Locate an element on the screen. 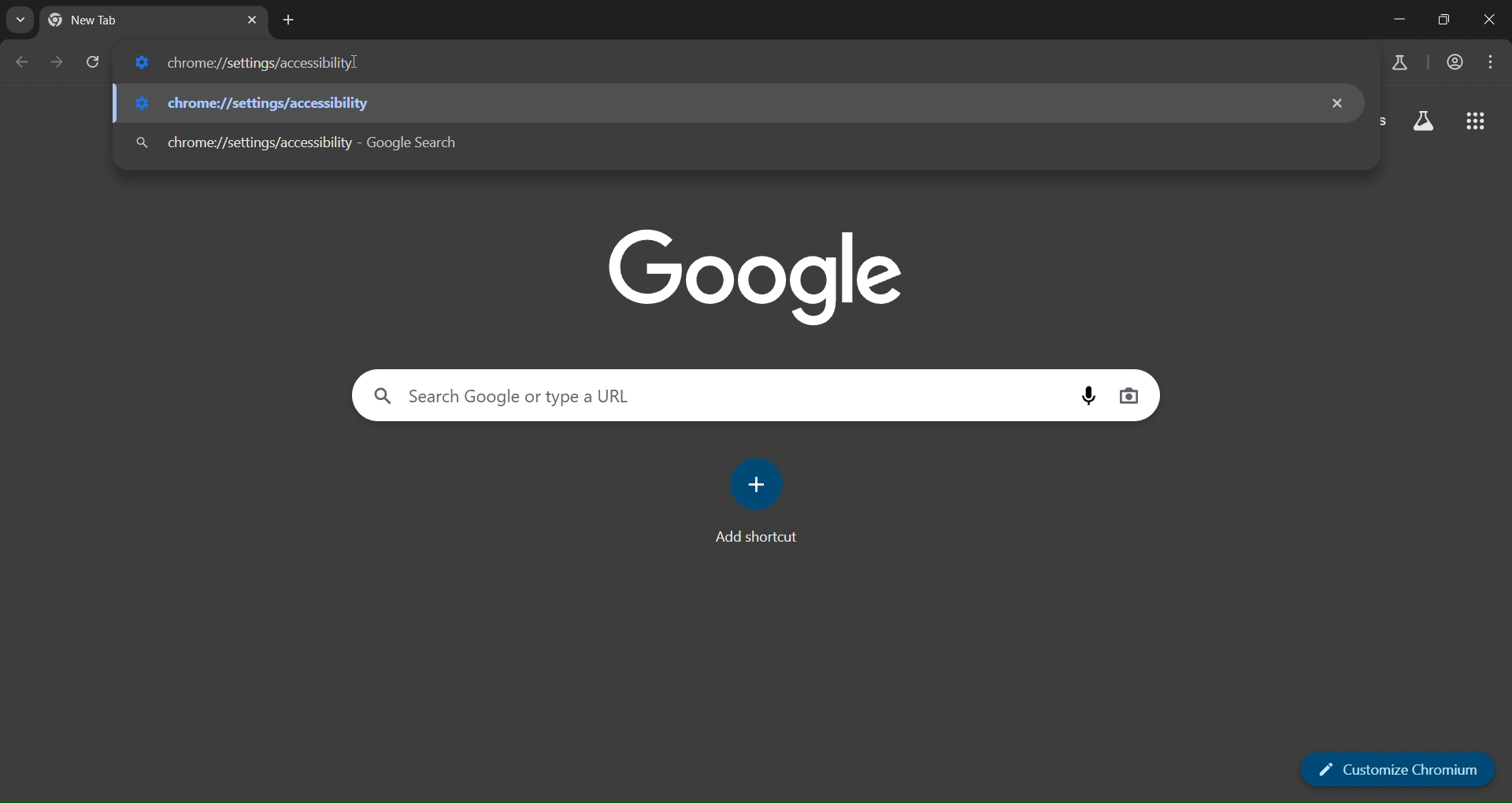 This screenshot has width=1512, height=803. restore down is located at coordinates (1446, 20).